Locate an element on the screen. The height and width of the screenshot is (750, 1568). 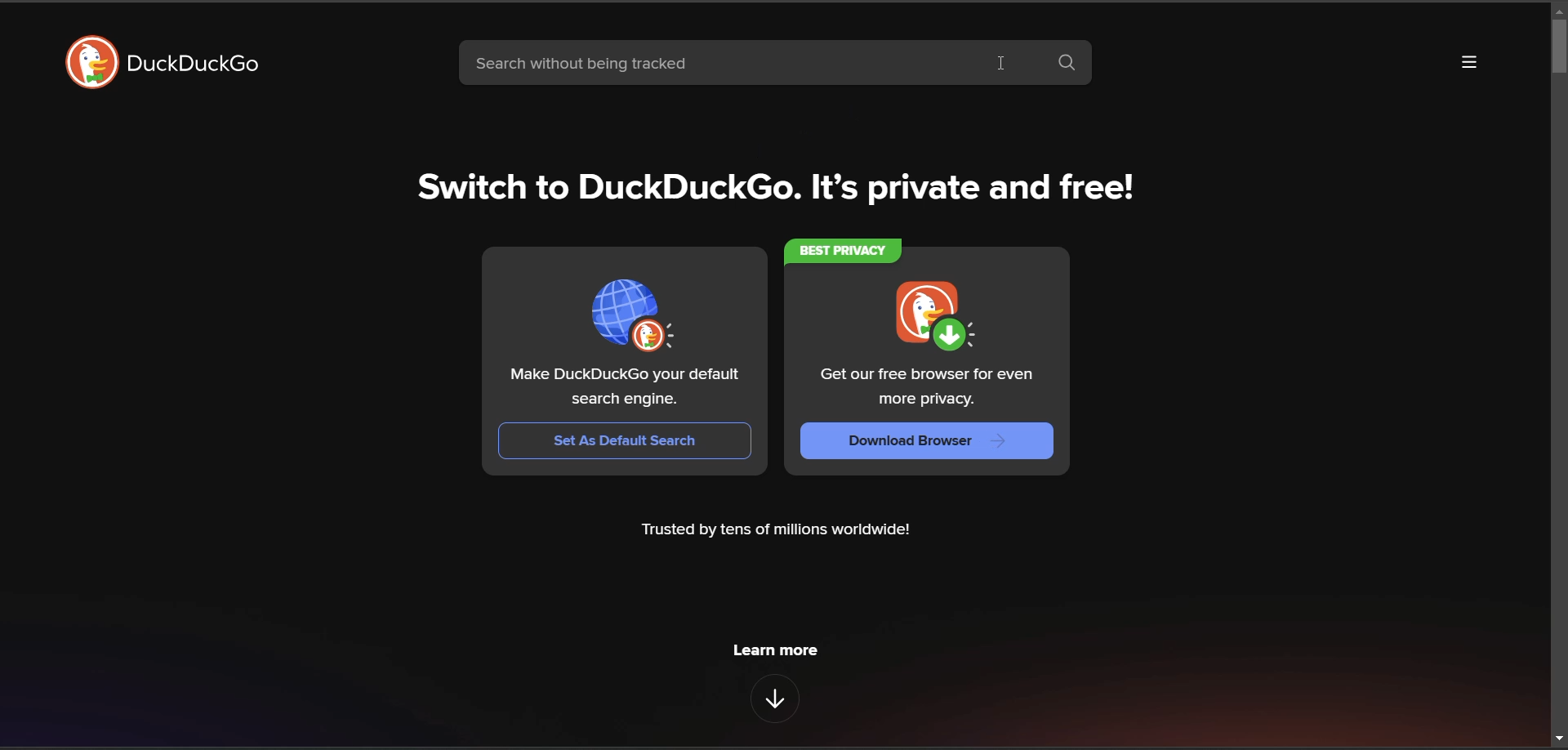
logo is located at coordinates (635, 315).